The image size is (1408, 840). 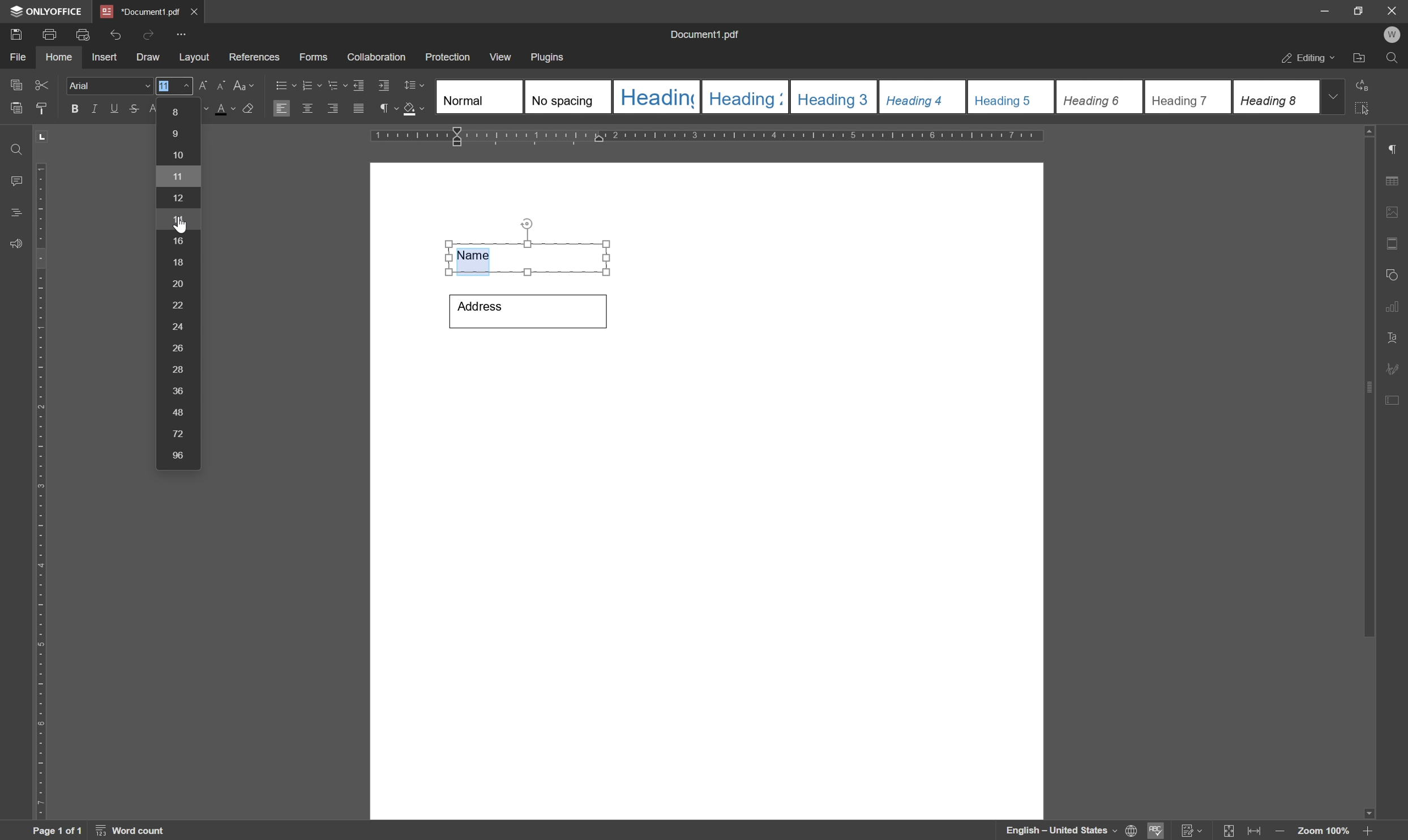 I want to click on Align left, so click(x=282, y=109).